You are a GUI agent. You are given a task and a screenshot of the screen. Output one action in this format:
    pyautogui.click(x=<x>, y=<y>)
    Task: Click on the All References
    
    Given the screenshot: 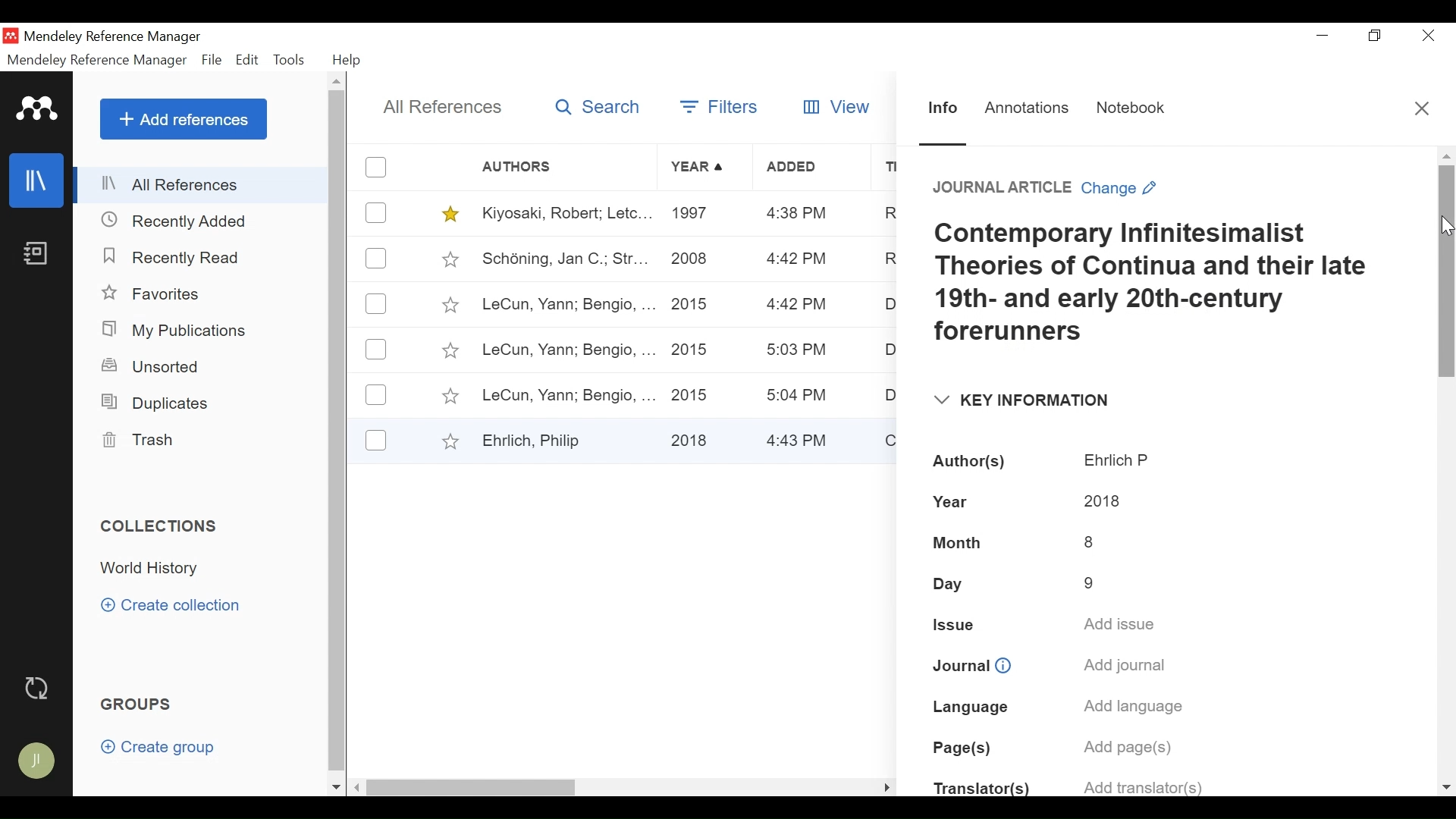 What is the action you would take?
    pyautogui.click(x=438, y=106)
    